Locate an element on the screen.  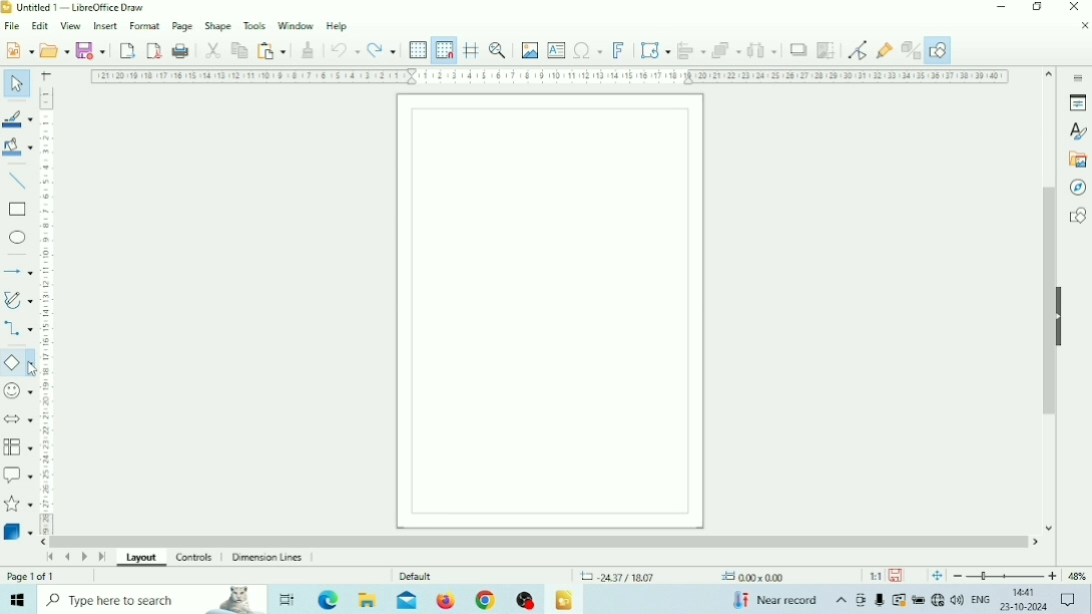
Shapes is located at coordinates (1077, 215).